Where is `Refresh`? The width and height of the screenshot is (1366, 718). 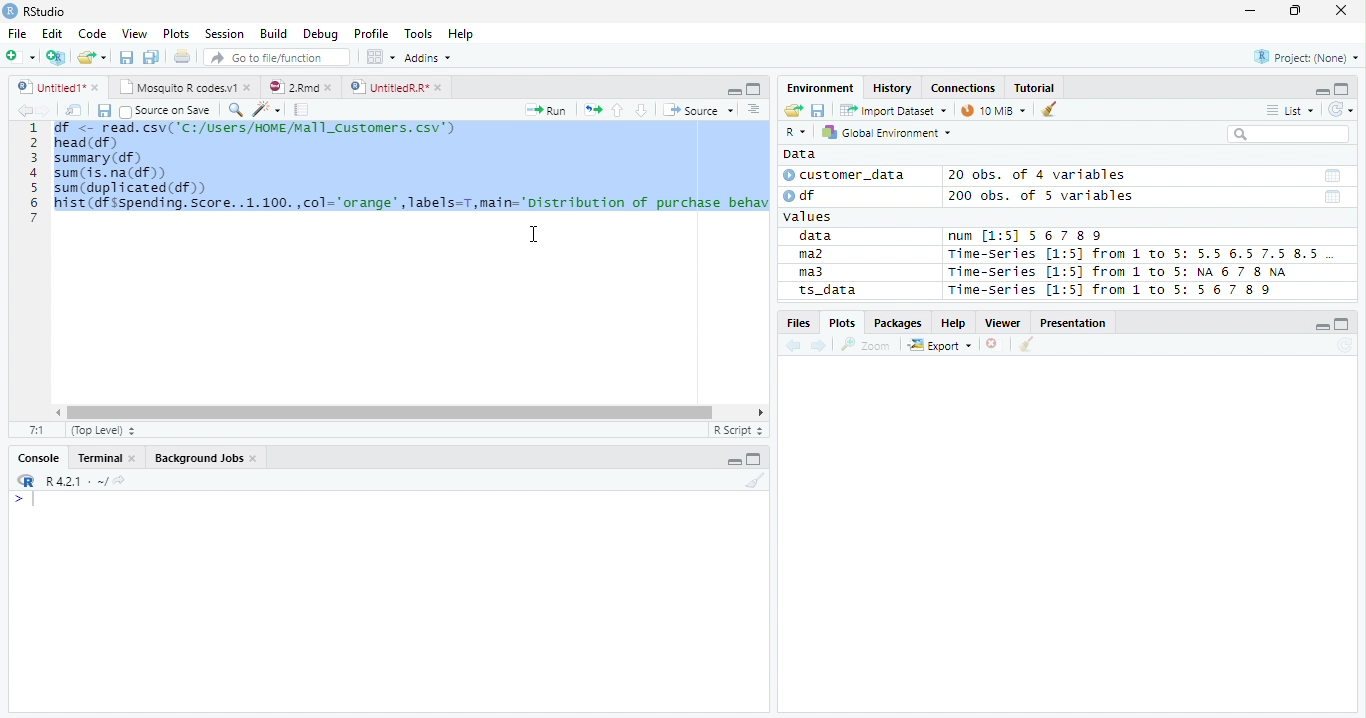 Refresh is located at coordinates (1341, 107).